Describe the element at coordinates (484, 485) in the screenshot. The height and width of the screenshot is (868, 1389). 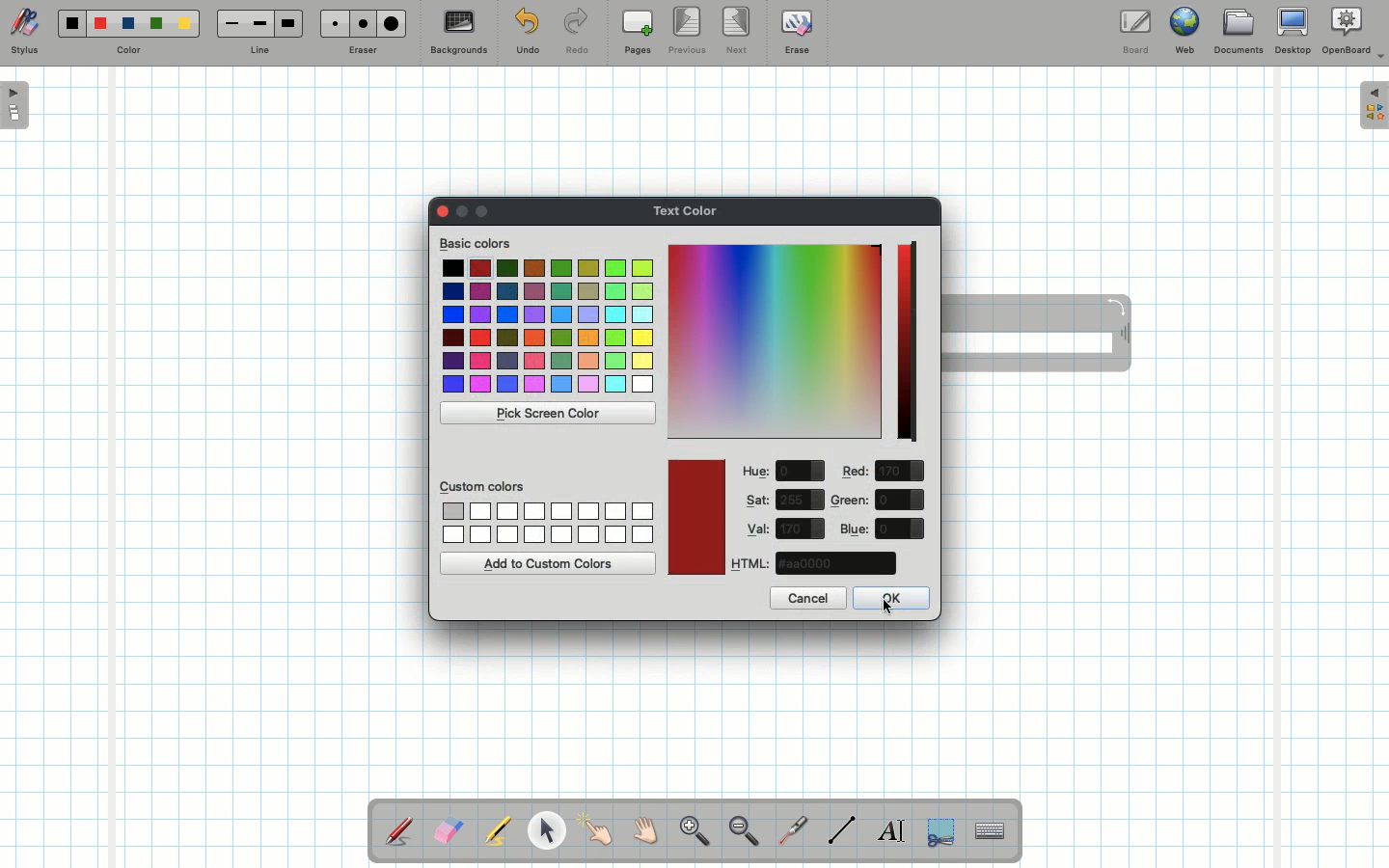
I see `Custom colors` at that location.